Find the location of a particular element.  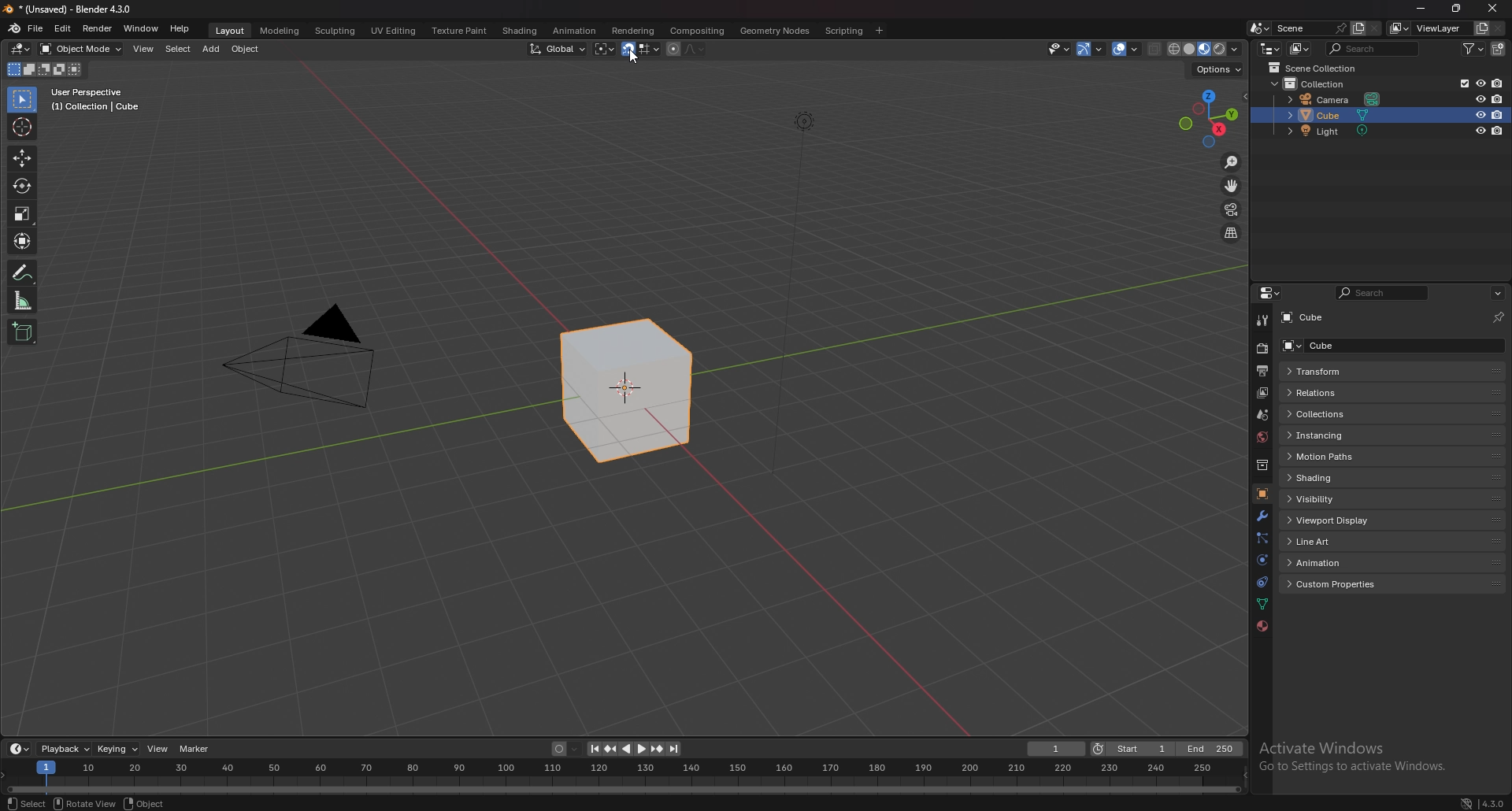

texture paint is located at coordinates (459, 30).